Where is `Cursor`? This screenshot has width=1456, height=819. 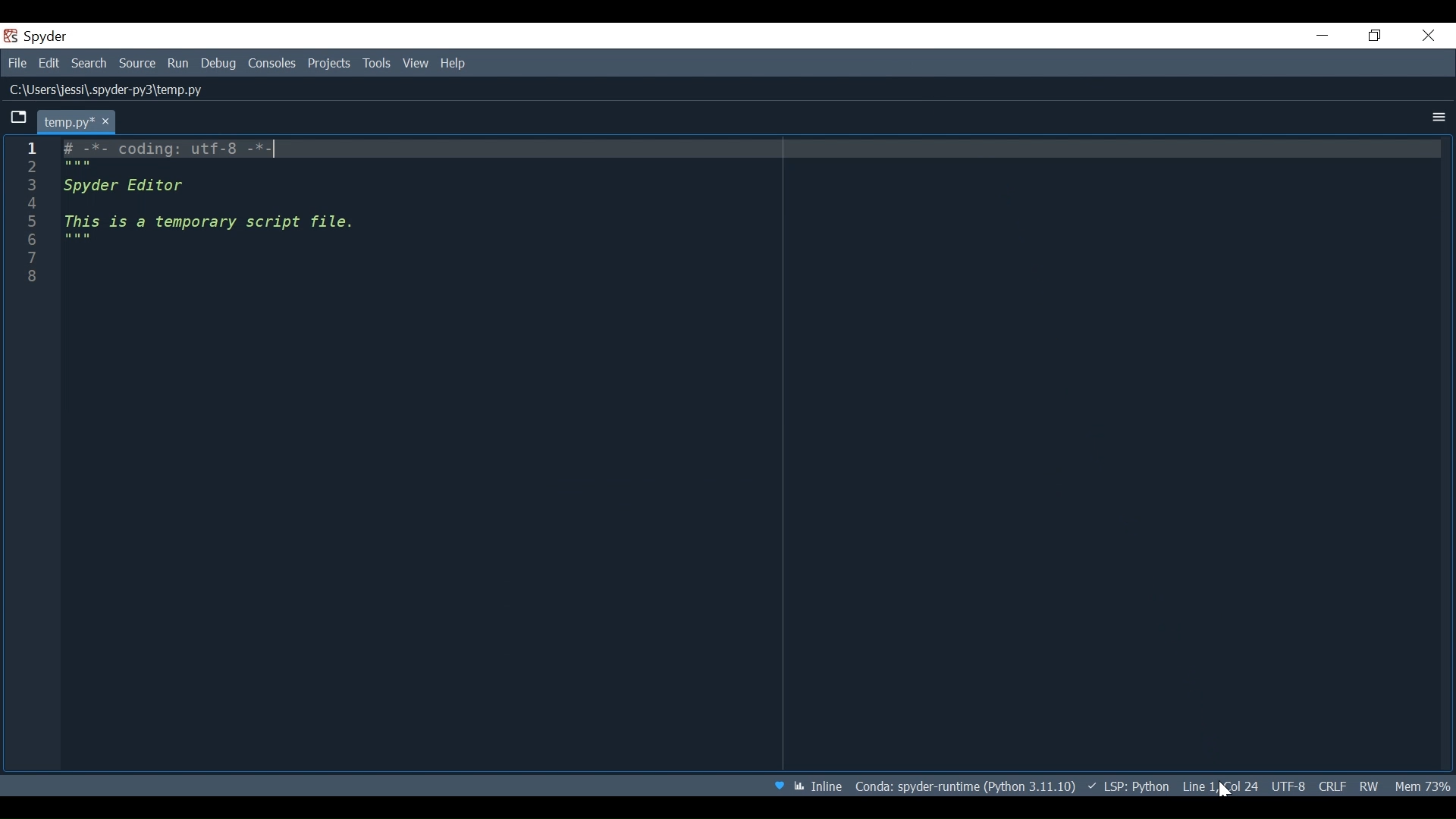
Cursor is located at coordinates (1222, 788).